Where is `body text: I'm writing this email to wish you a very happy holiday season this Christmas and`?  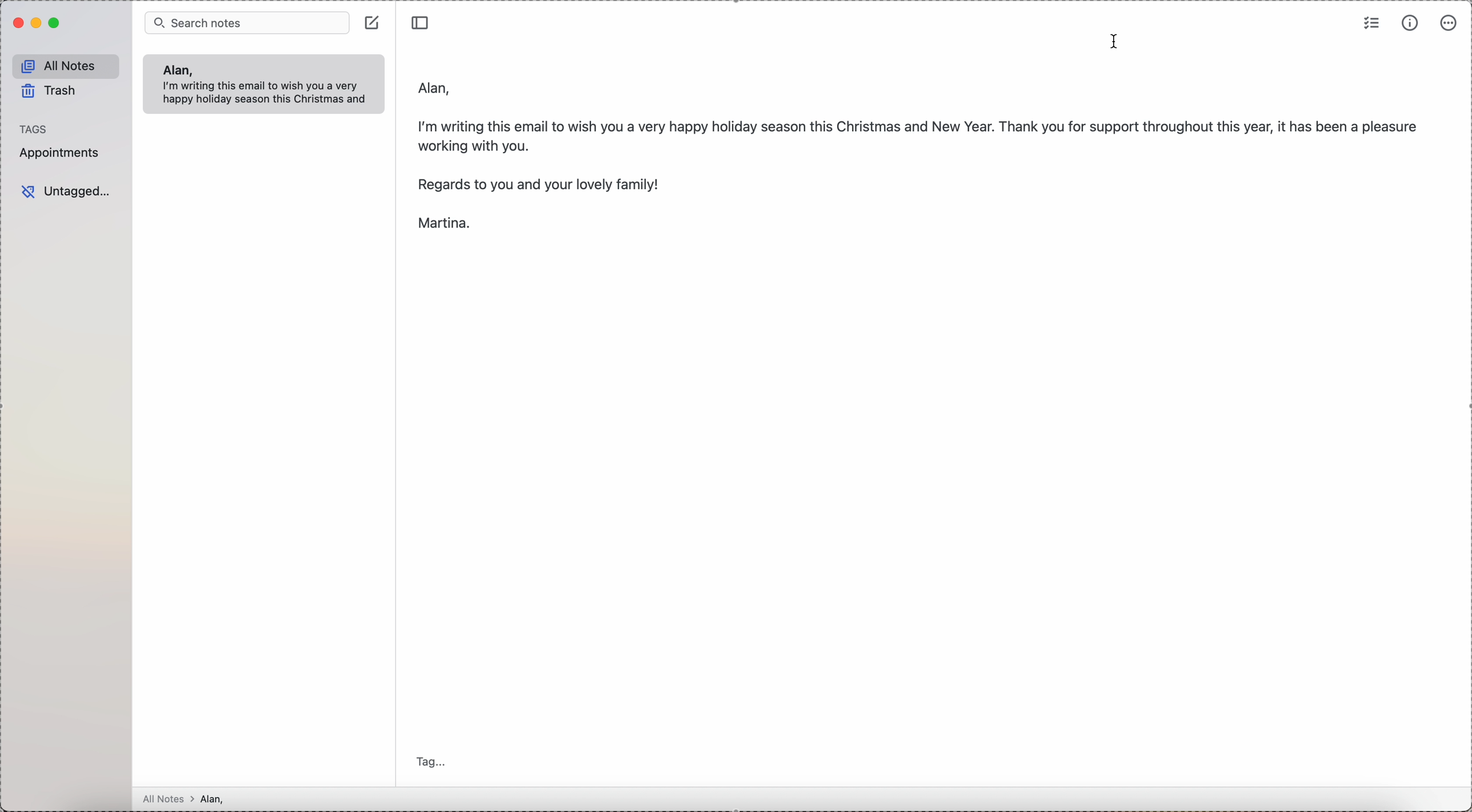 body text: I'm writing this email to wish you a very happy holiday season this Christmas and is located at coordinates (269, 94).